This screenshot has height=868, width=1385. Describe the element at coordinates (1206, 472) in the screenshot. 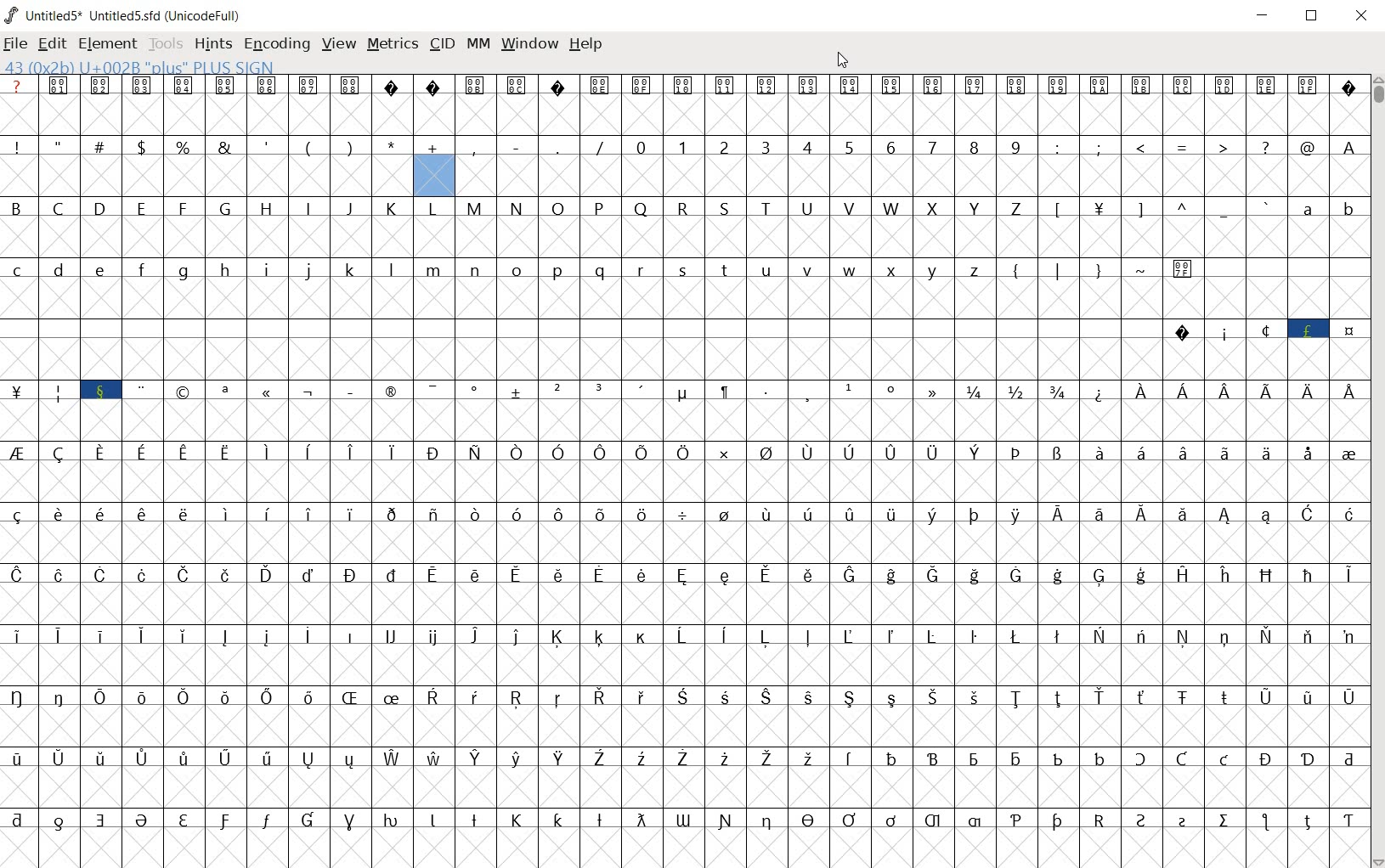

I see `Latin extended characters` at that location.